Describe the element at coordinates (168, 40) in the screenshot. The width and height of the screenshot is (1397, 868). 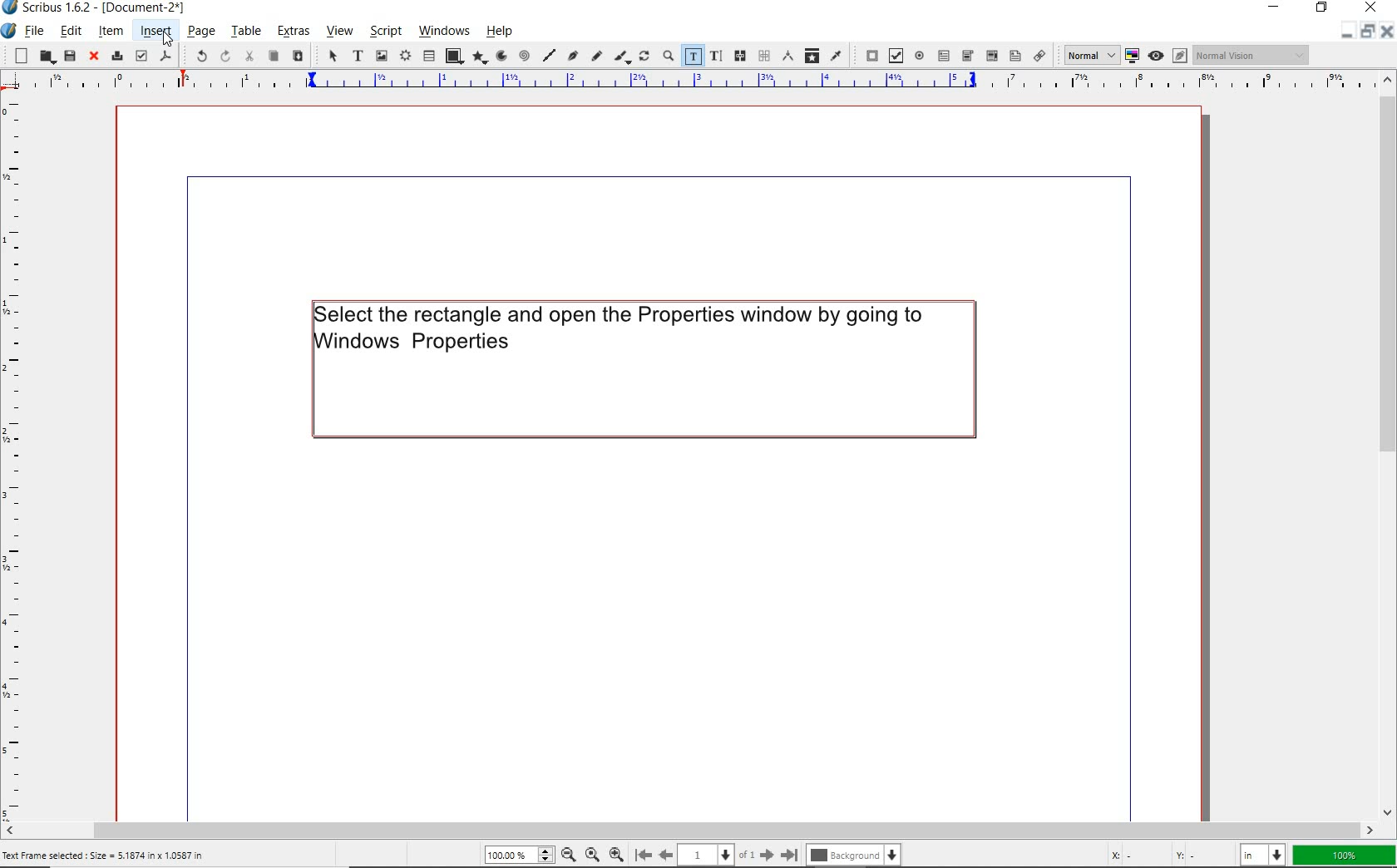
I see `Cursor` at that location.